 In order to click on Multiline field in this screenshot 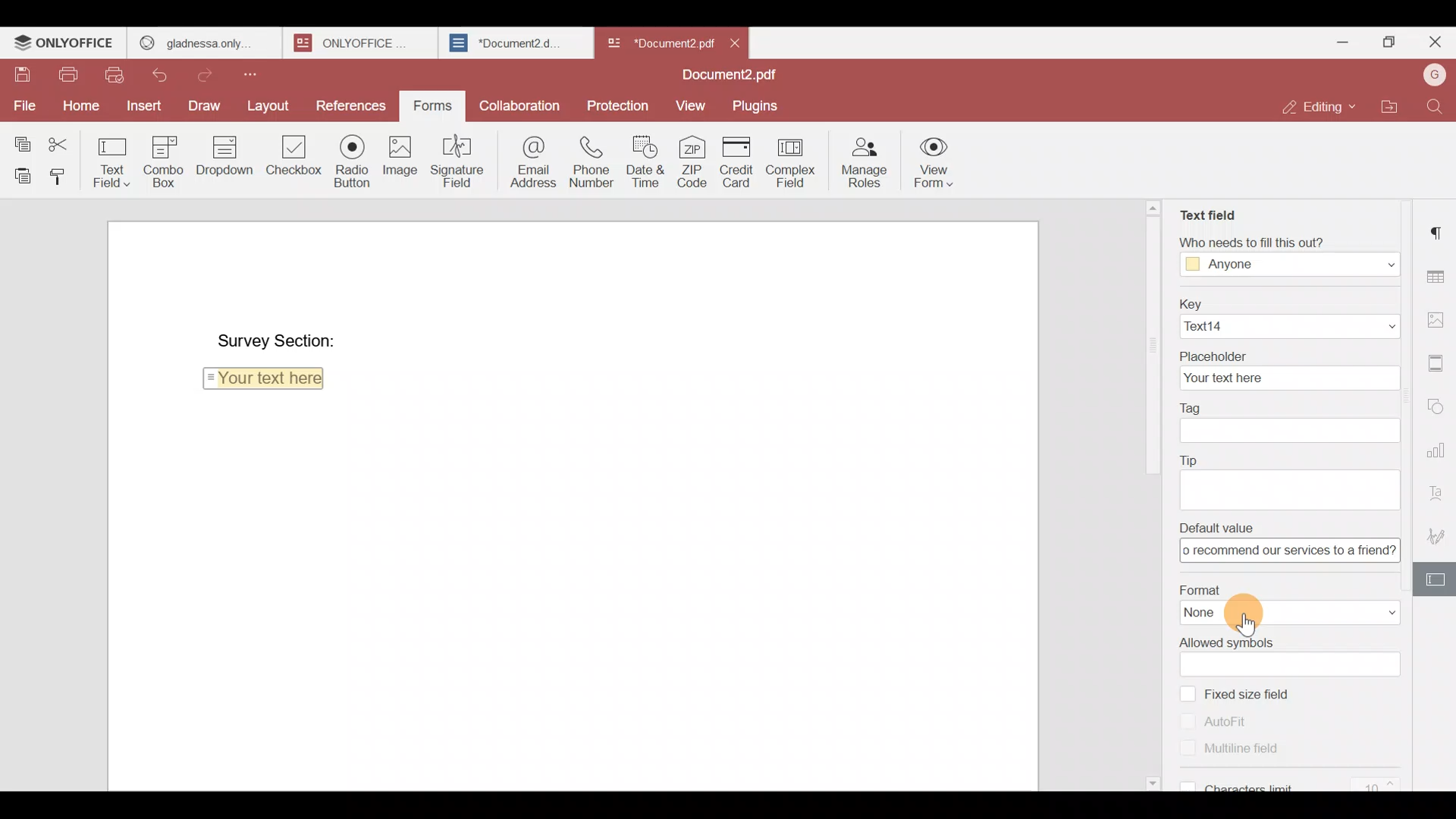, I will do `click(1250, 754)`.